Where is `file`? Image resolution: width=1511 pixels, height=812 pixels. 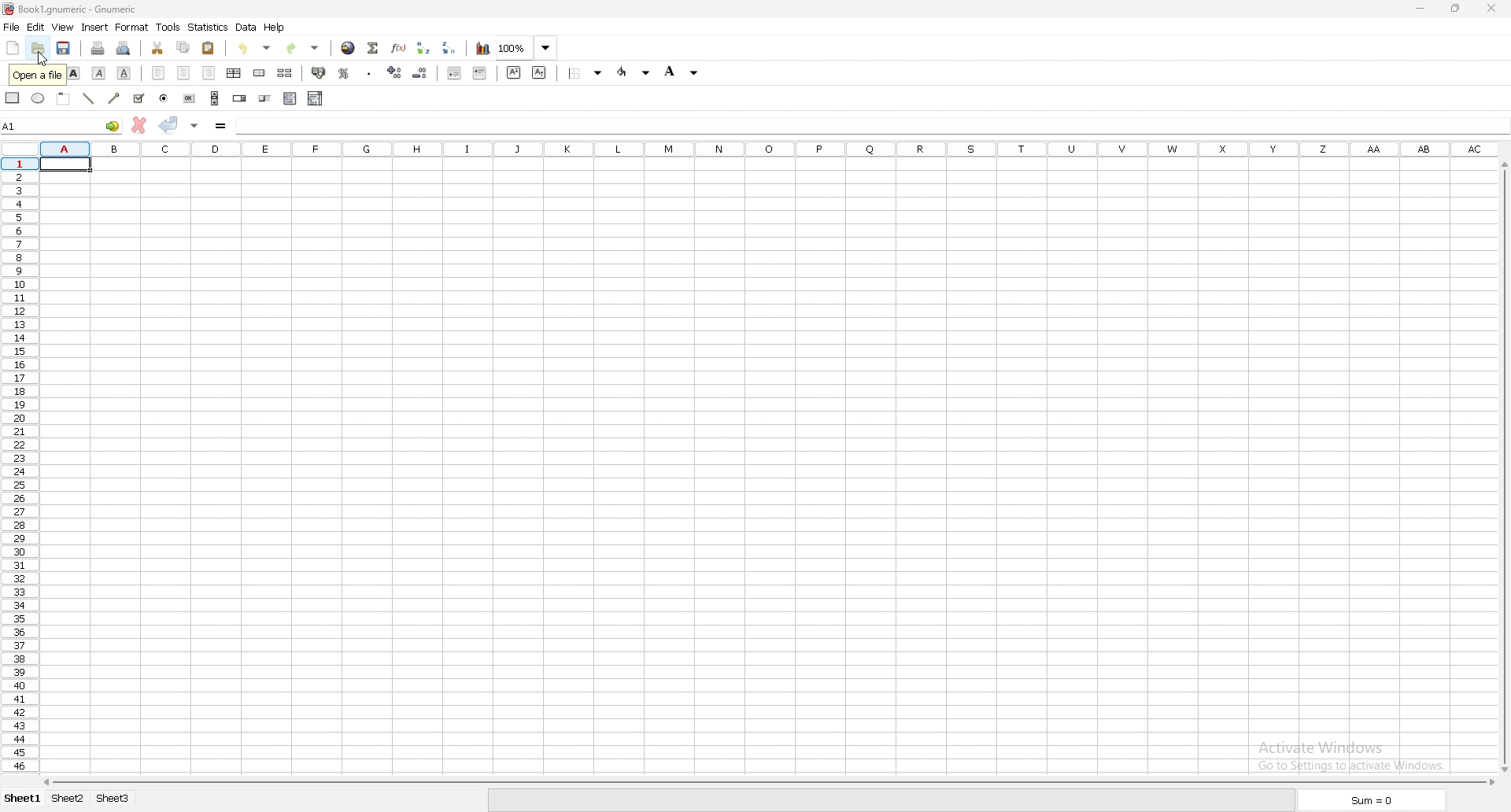 file is located at coordinates (11, 27).